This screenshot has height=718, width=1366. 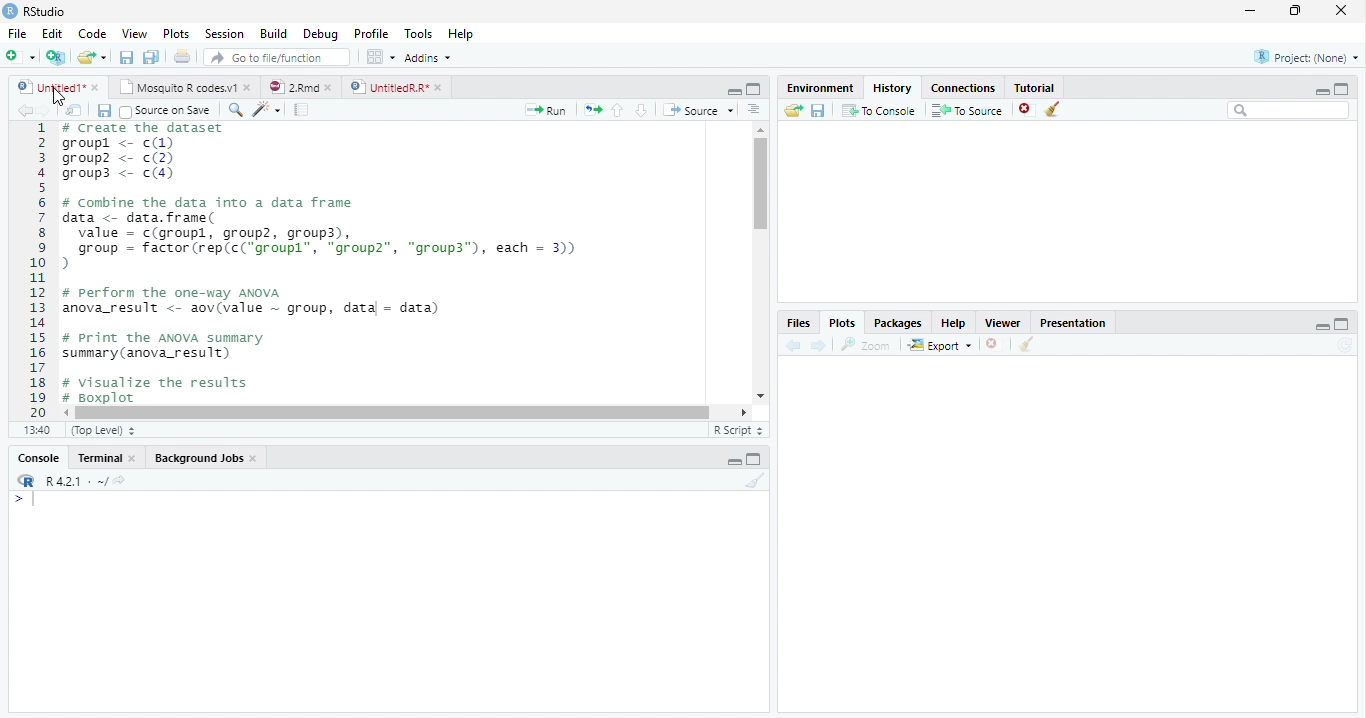 What do you see at coordinates (965, 86) in the screenshot?
I see `Connections` at bounding box center [965, 86].